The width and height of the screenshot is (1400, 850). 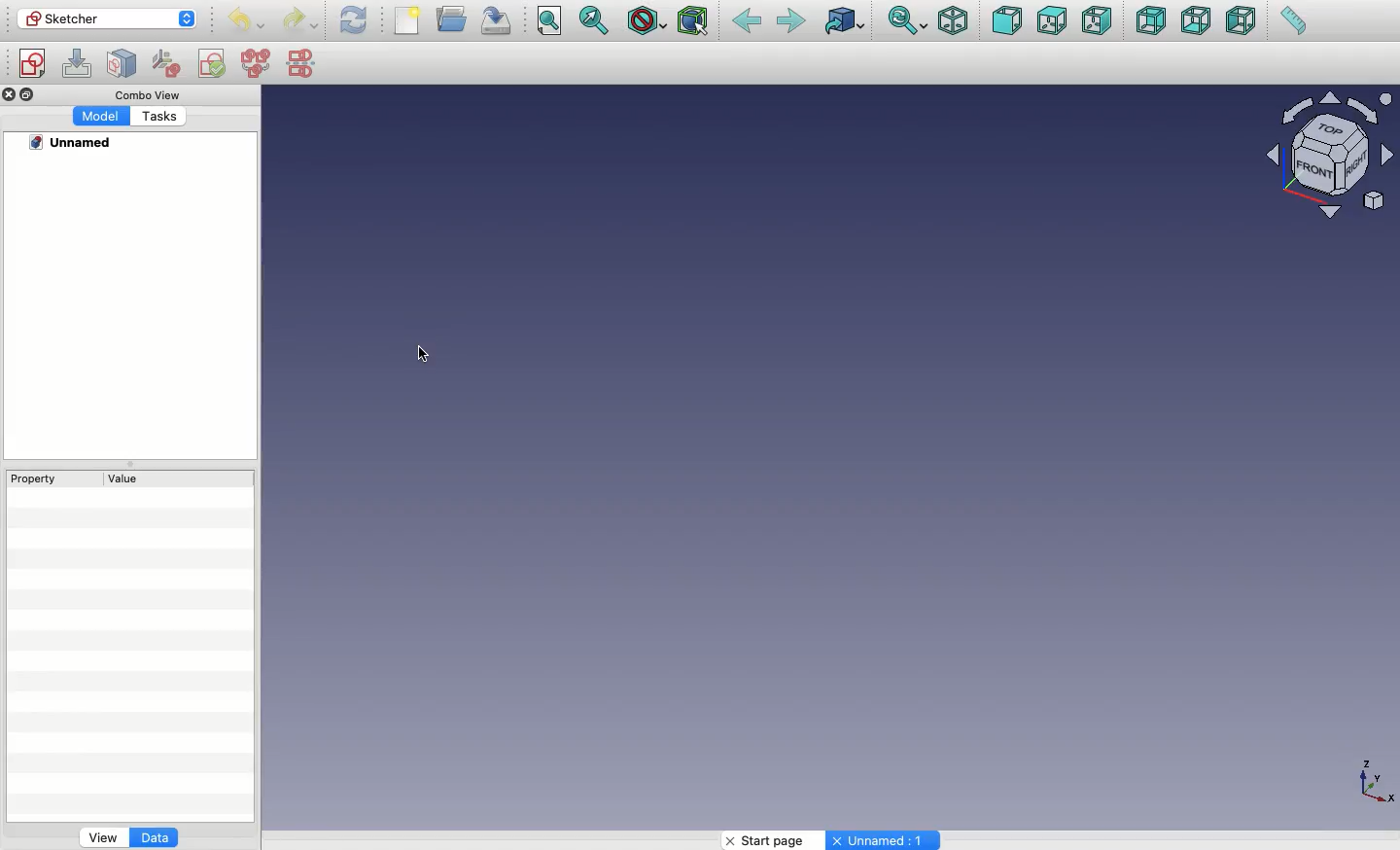 I want to click on Forward, so click(x=791, y=23).